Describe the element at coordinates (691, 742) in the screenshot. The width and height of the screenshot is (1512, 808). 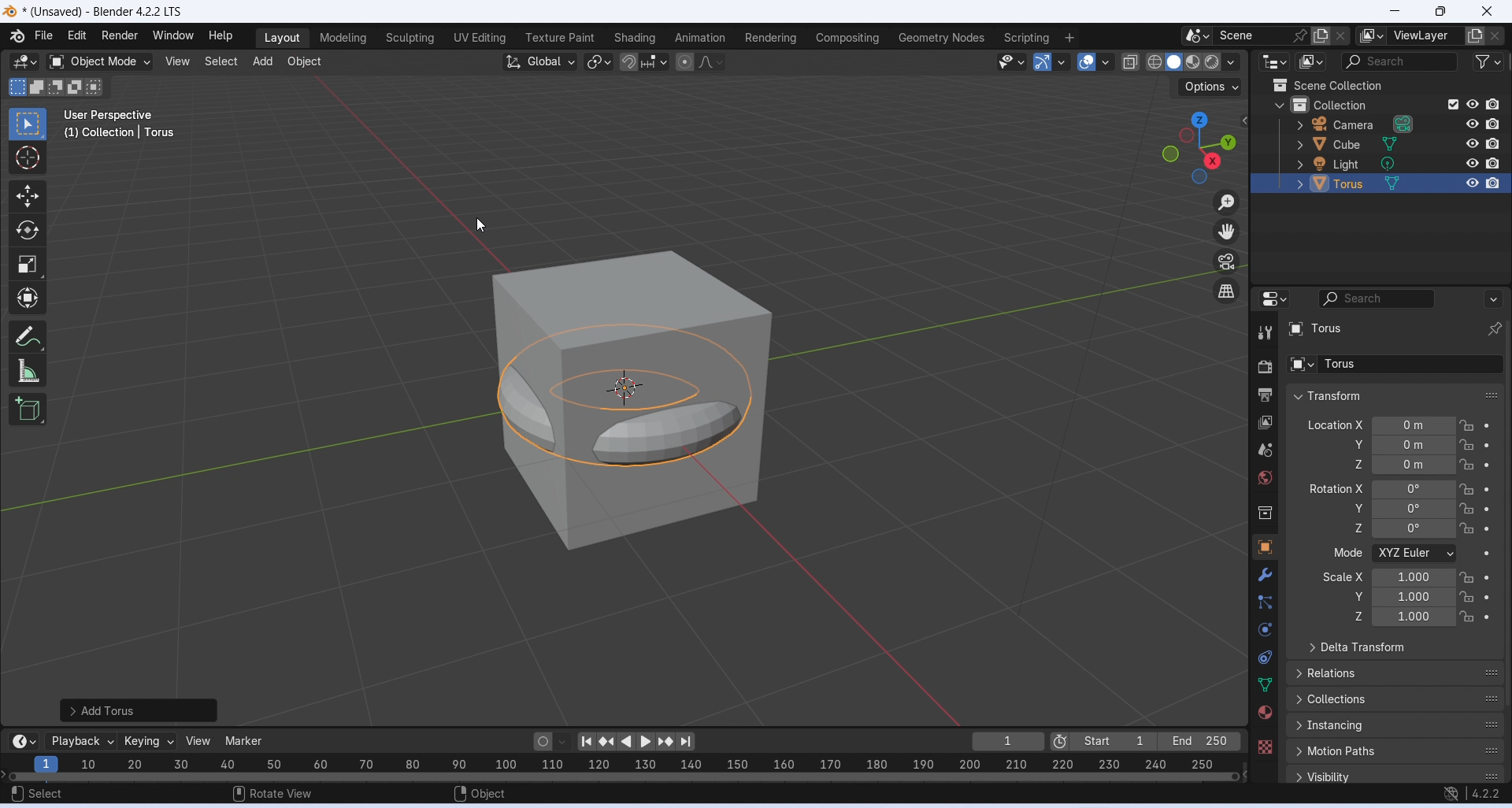
I see `Jump to endpoint` at that location.